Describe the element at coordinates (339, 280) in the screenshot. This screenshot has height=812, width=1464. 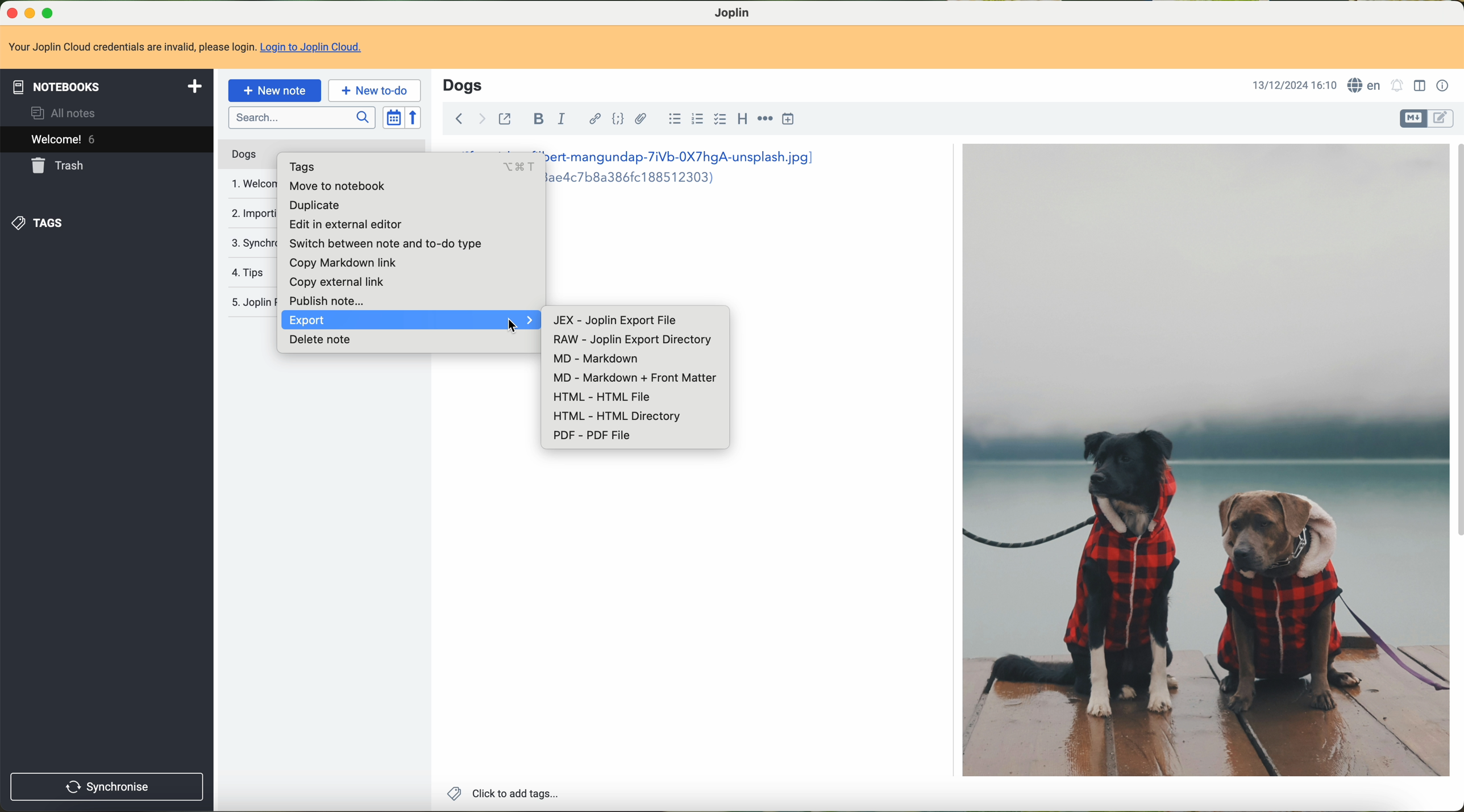
I see `copy external link` at that location.